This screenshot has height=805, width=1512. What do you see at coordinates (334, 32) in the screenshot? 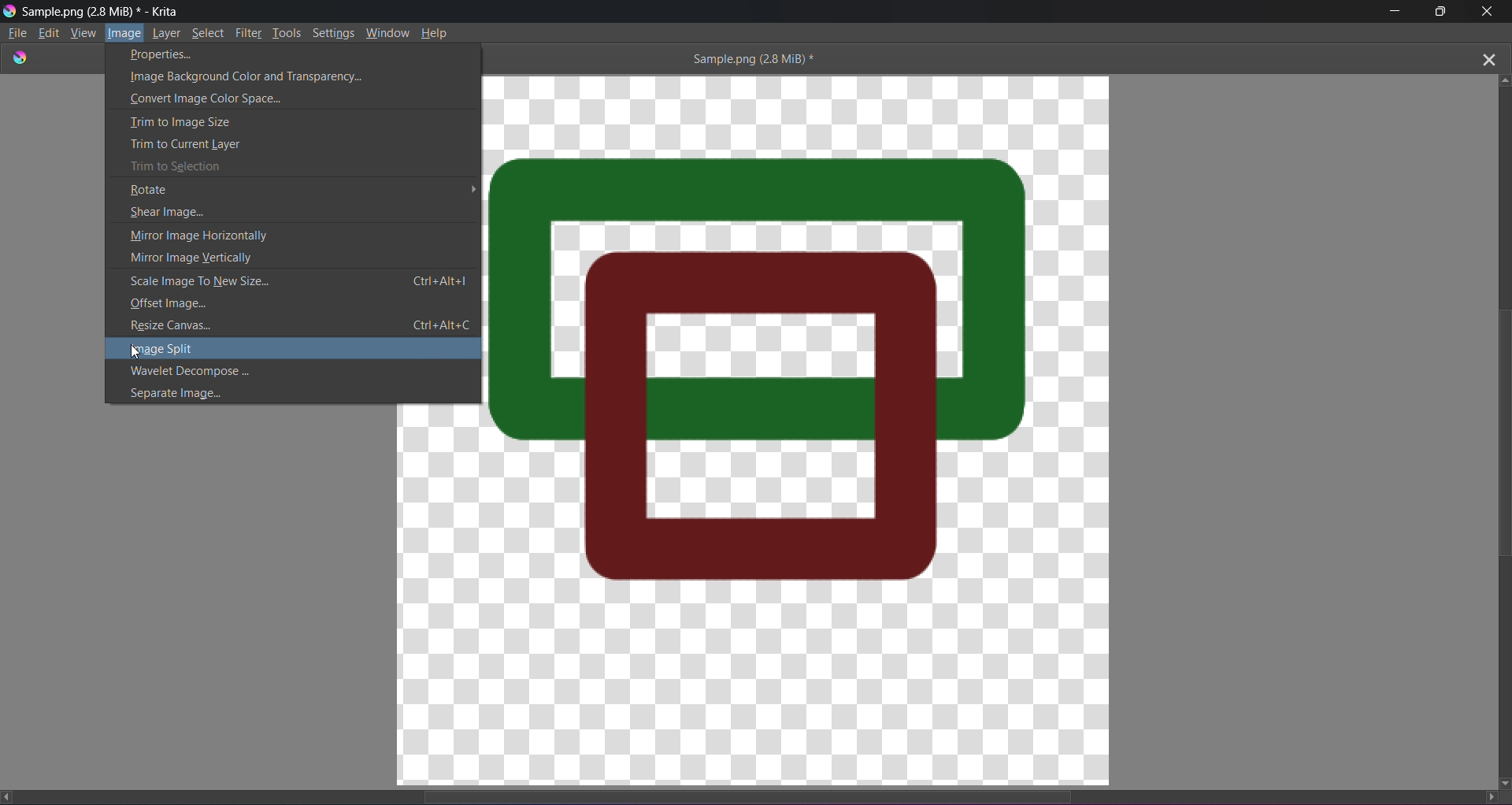
I see `Settings` at bounding box center [334, 32].